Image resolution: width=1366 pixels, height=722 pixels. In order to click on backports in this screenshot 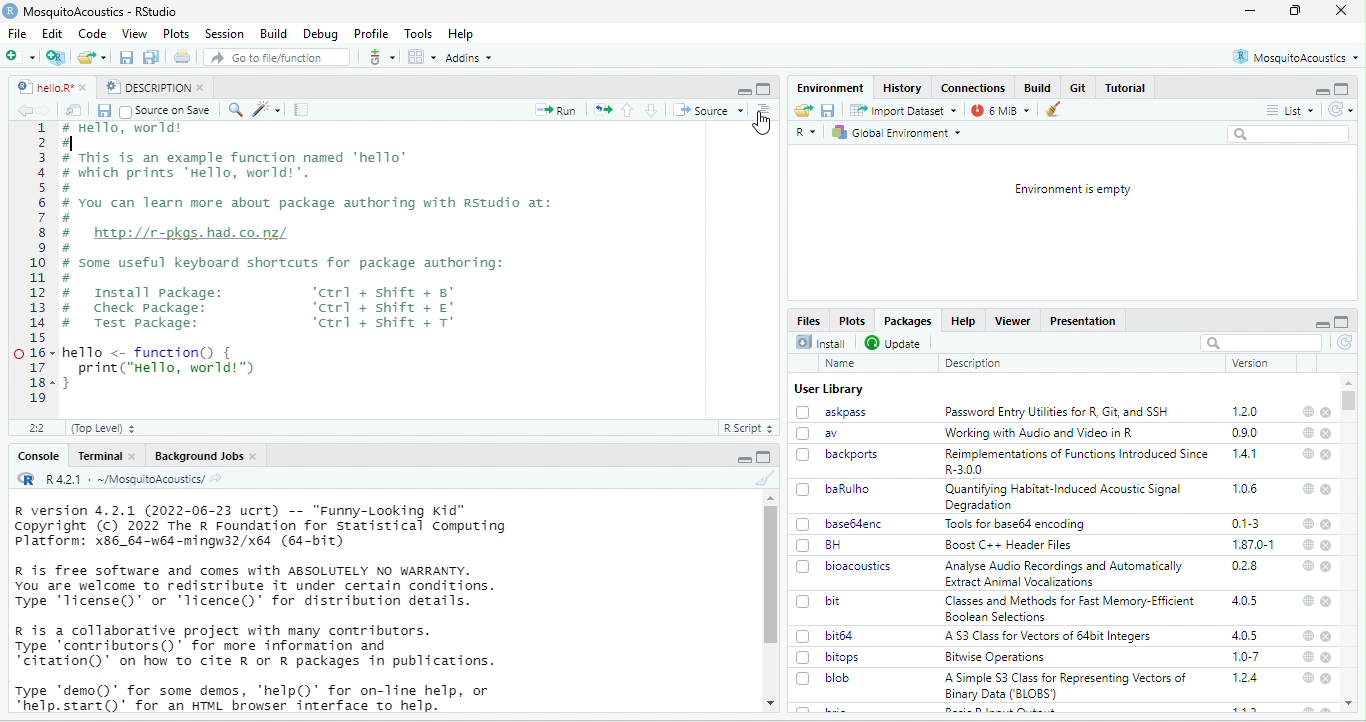, I will do `click(840, 454)`.